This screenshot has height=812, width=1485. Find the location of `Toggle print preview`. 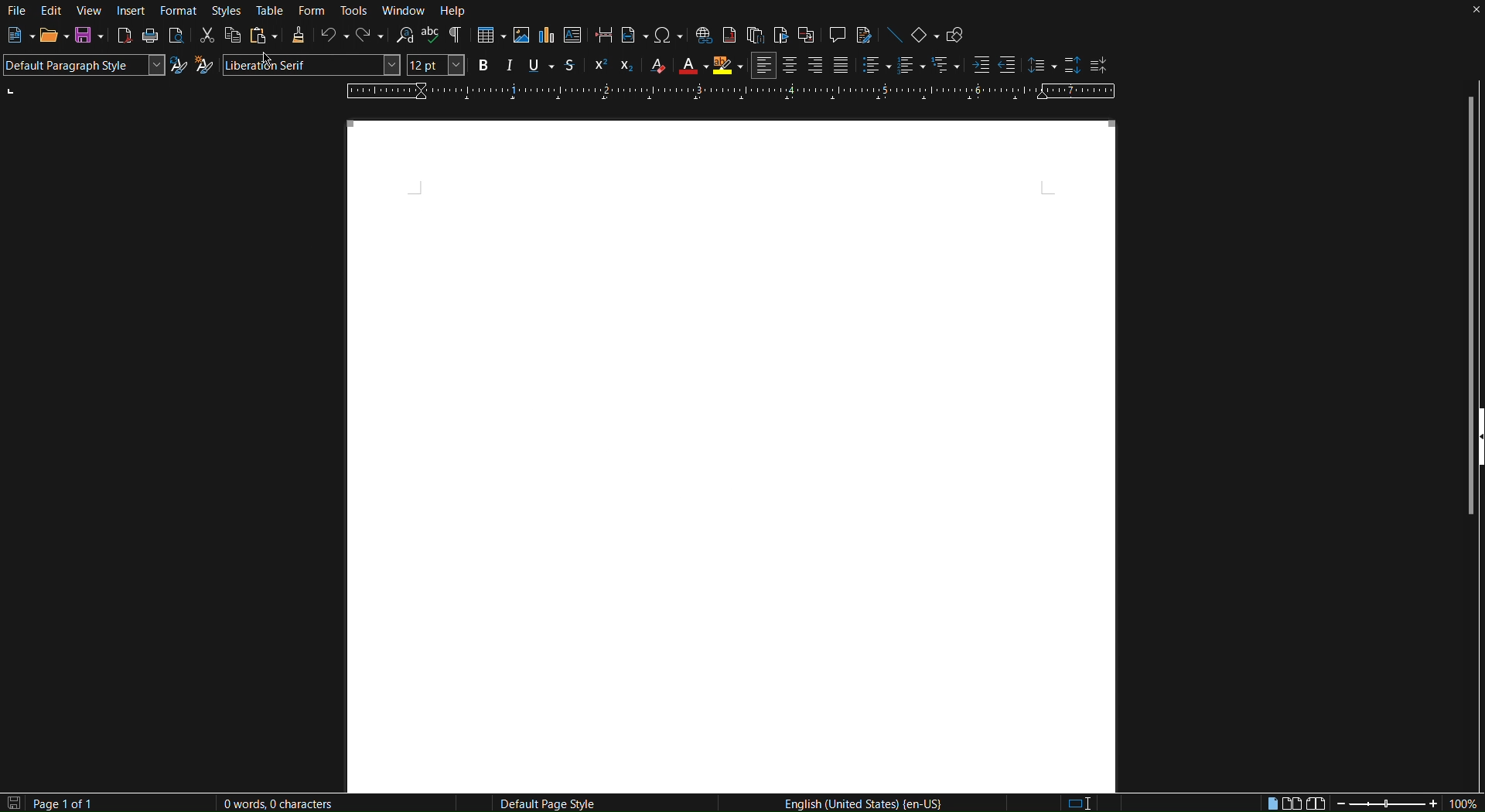

Toggle print preview is located at coordinates (176, 37).